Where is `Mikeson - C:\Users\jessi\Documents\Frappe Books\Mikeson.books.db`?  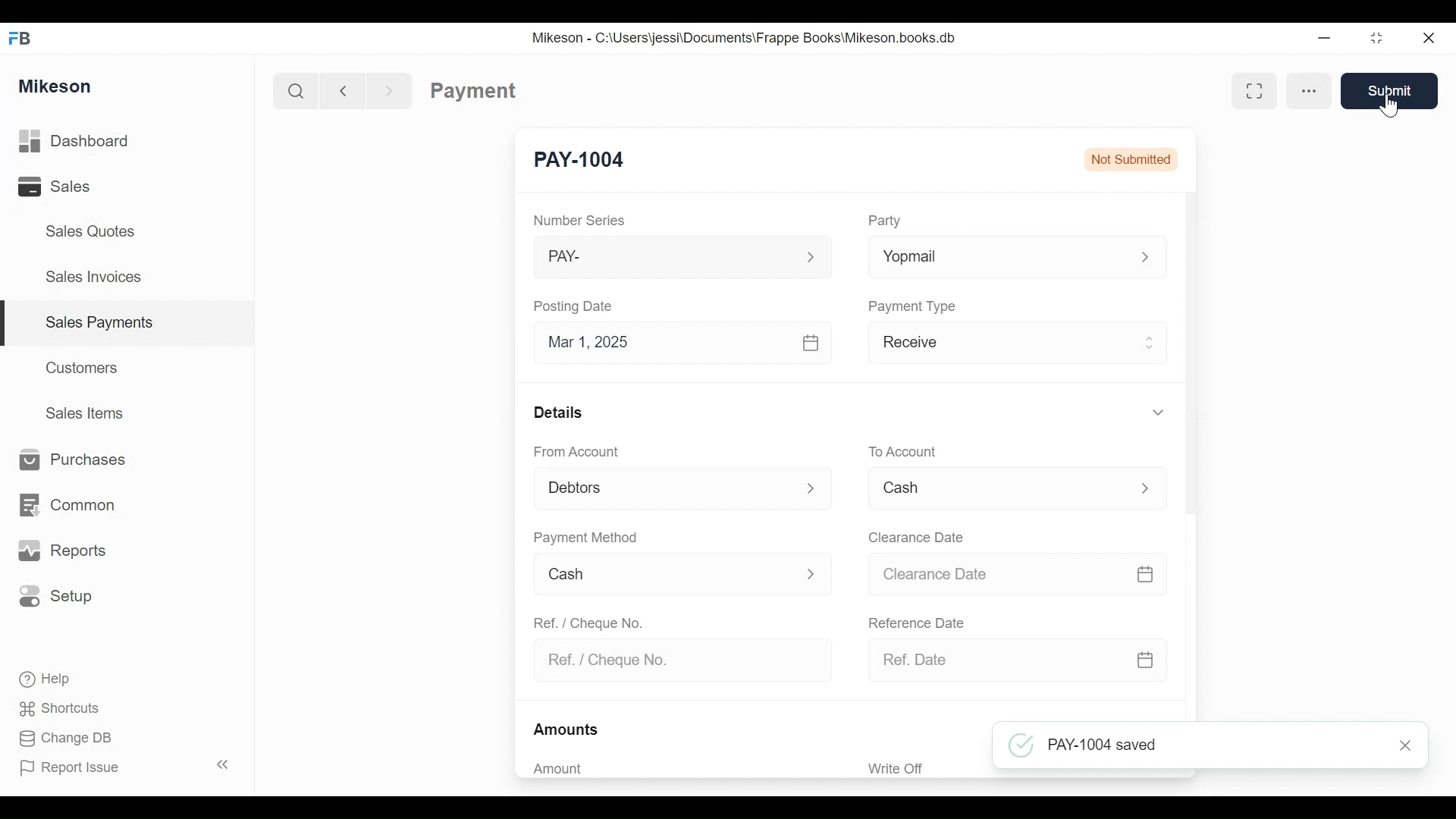
Mikeson - C:\Users\jessi\Documents\Frappe Books\Mikeson.books.db is located at coordinates (745, 38).